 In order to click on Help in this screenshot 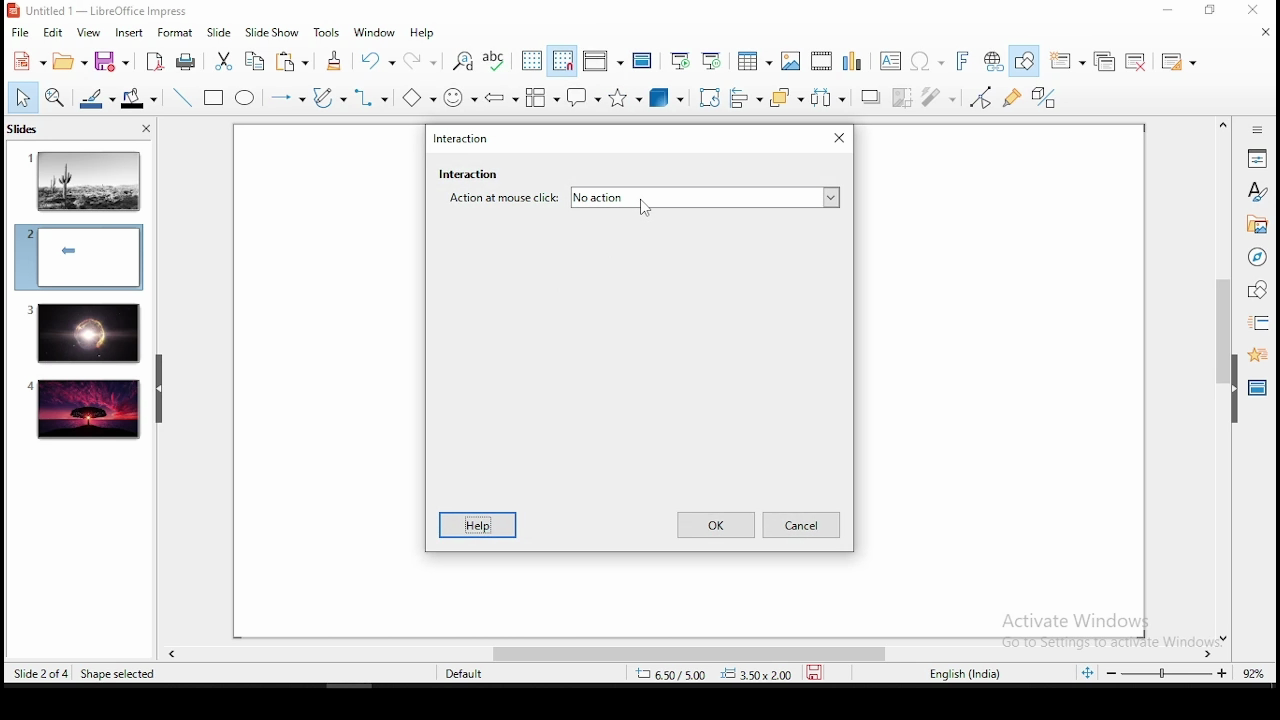, I will do `click(476, 527)`.